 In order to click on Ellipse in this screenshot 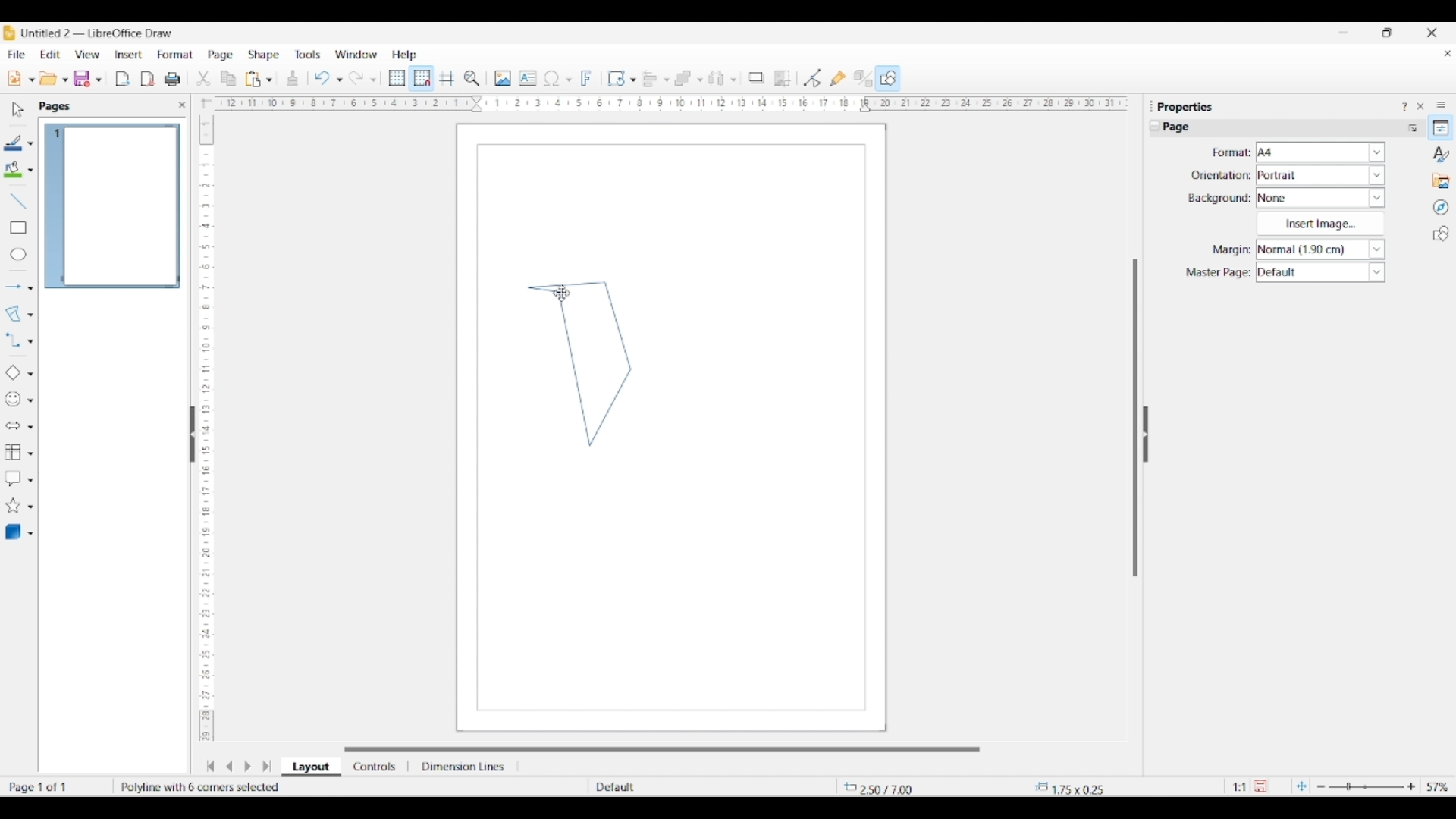, I will do `click(18, 254)`.